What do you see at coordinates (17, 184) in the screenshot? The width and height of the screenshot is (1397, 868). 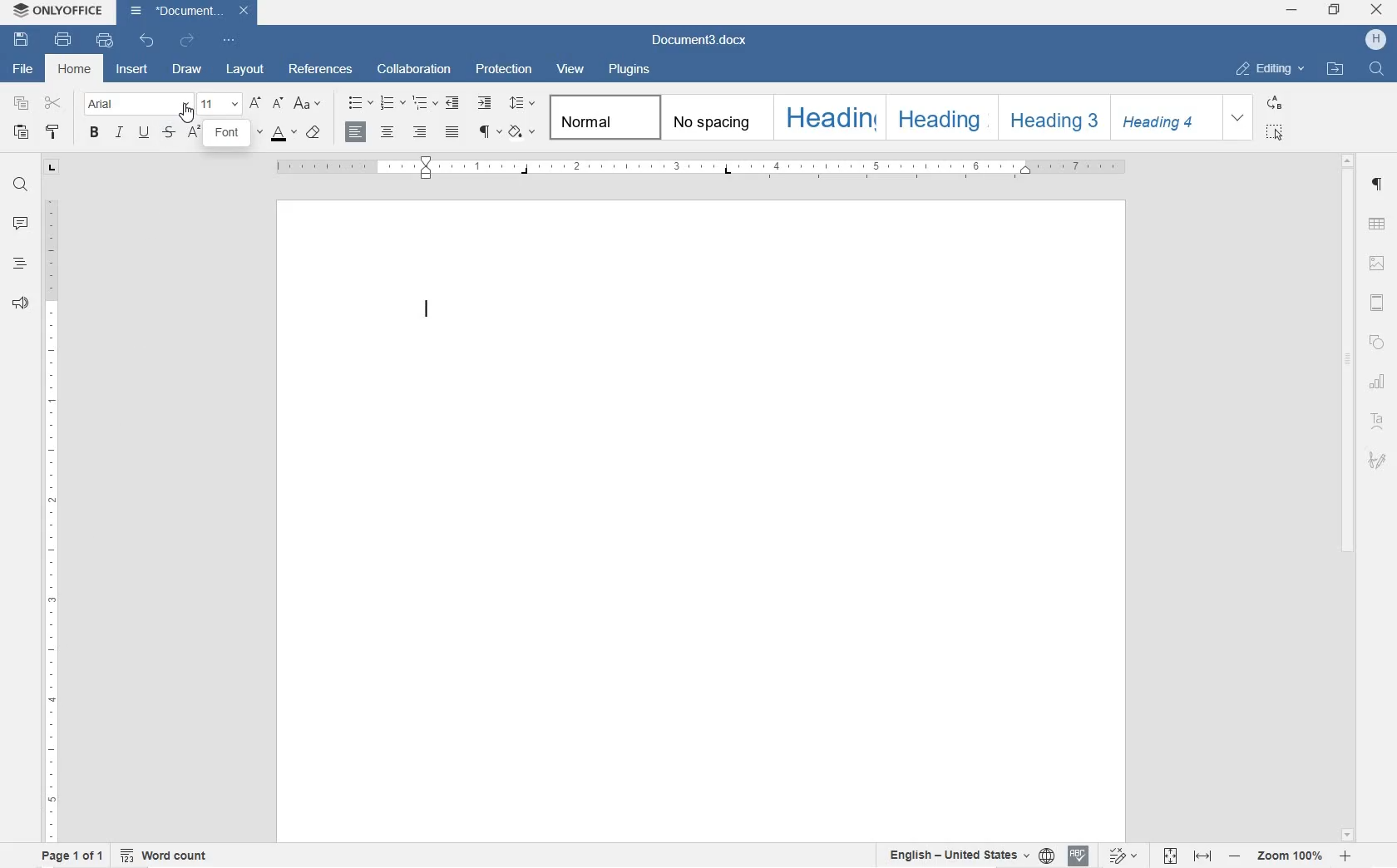 I see `FIND` at bounding box center [17, 184].